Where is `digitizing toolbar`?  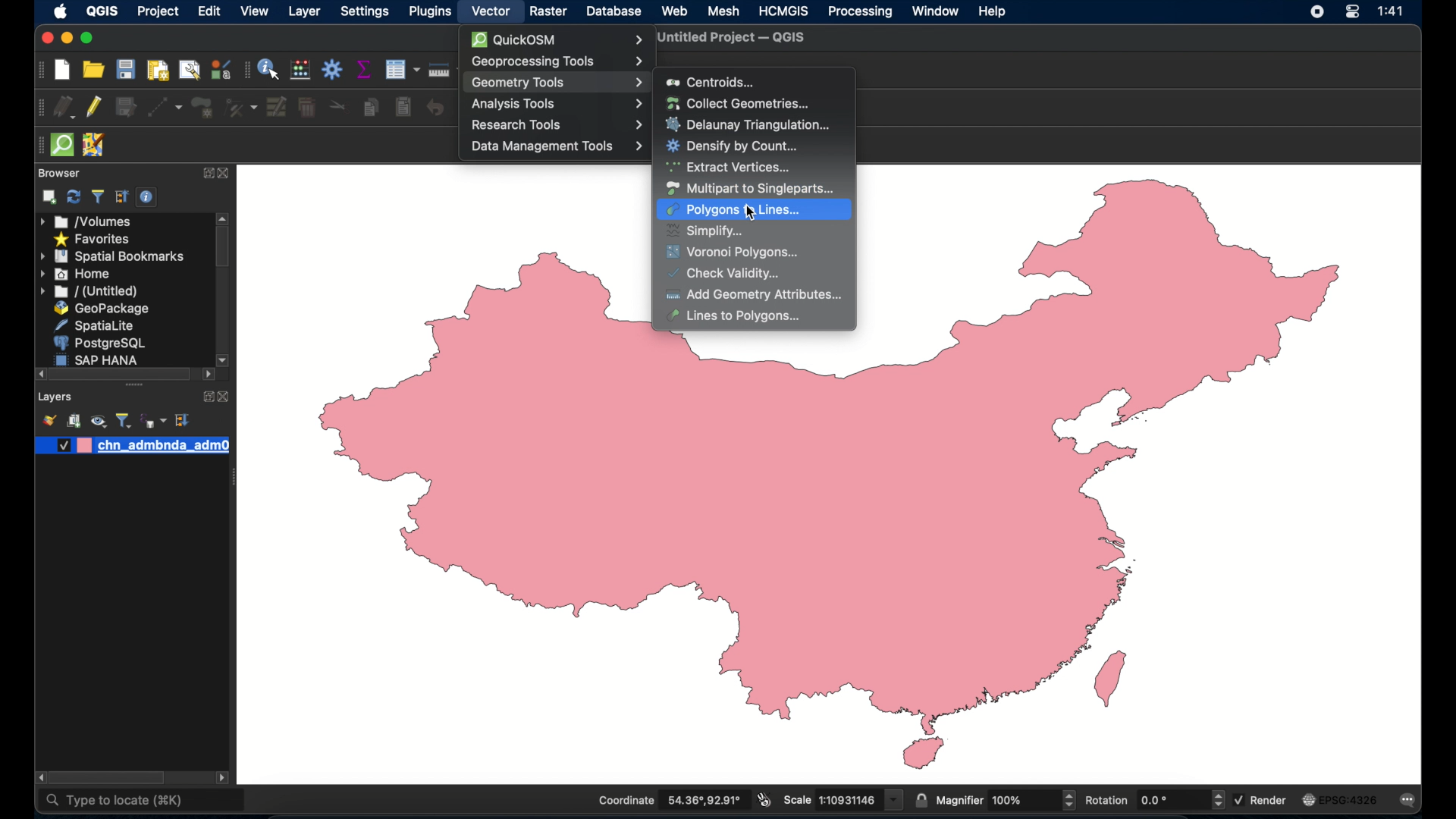 digitizing toolbar is located at coordinates (40, 108).